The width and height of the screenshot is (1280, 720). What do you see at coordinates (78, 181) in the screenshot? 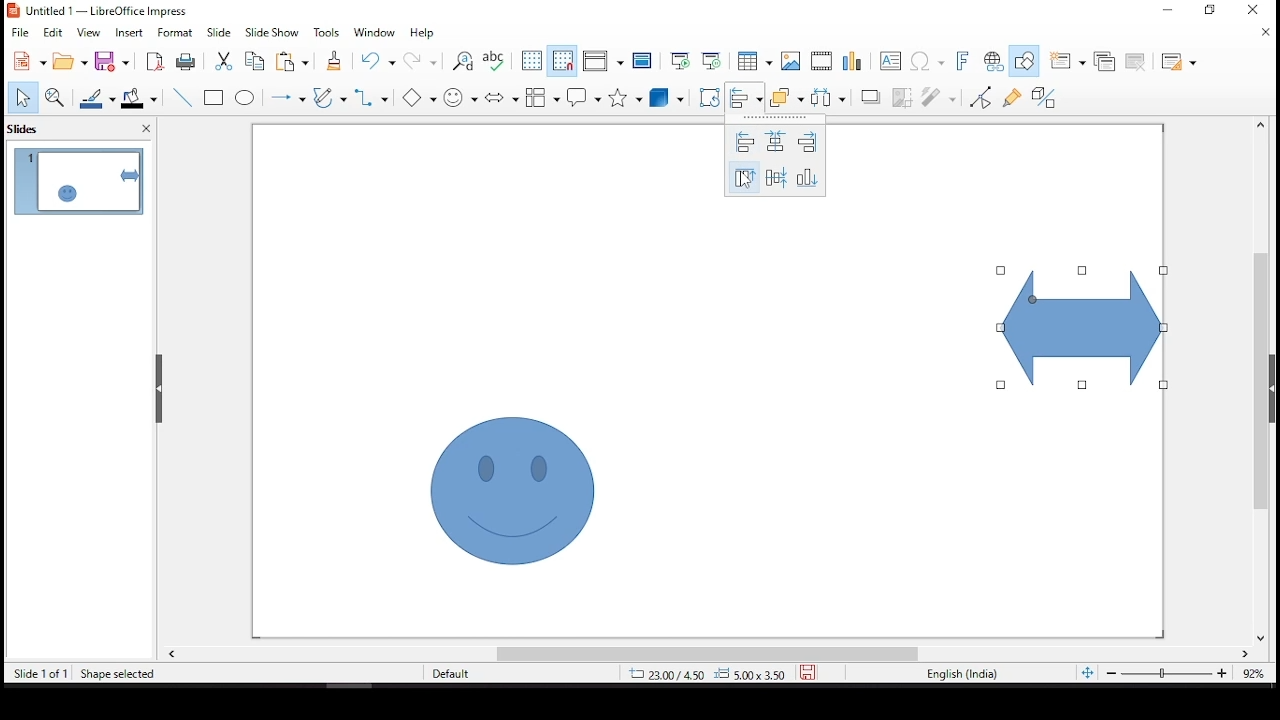
I see `slide 1` at bounding box center [78, 181].